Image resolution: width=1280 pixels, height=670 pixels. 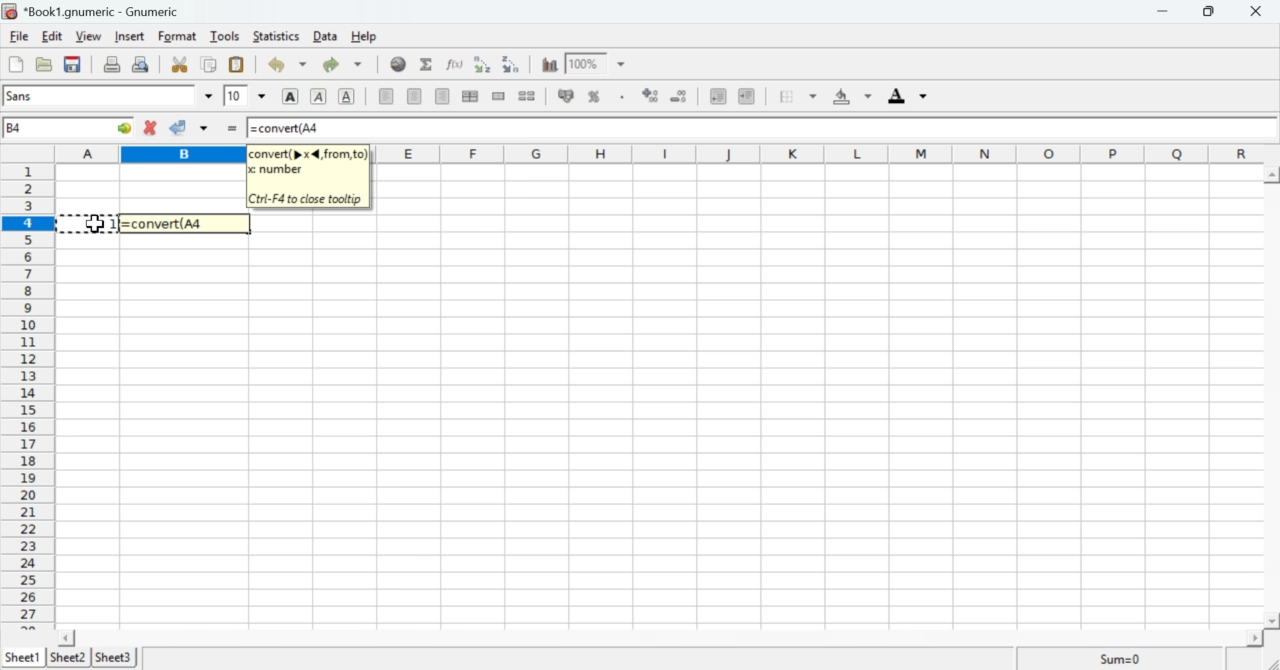 What do you see at coordinates (25, 657) in the screenshot?
I see `Sheet 1` at bounding box center [25, 657].